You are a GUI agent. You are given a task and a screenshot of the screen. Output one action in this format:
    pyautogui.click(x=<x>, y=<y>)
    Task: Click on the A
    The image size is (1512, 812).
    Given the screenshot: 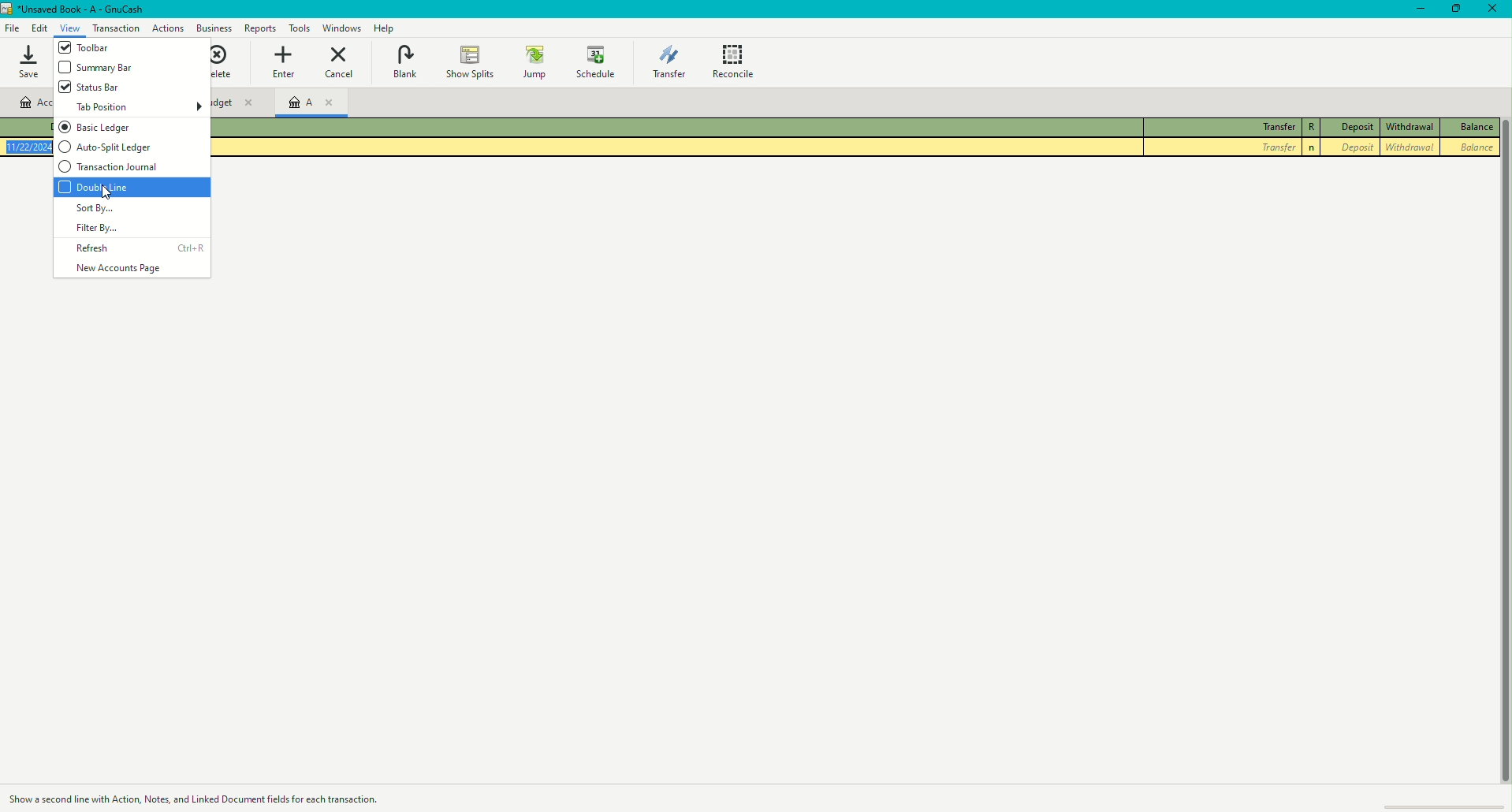 What is the action you would take?
    pyautogui.click(x=318, y=102)
    